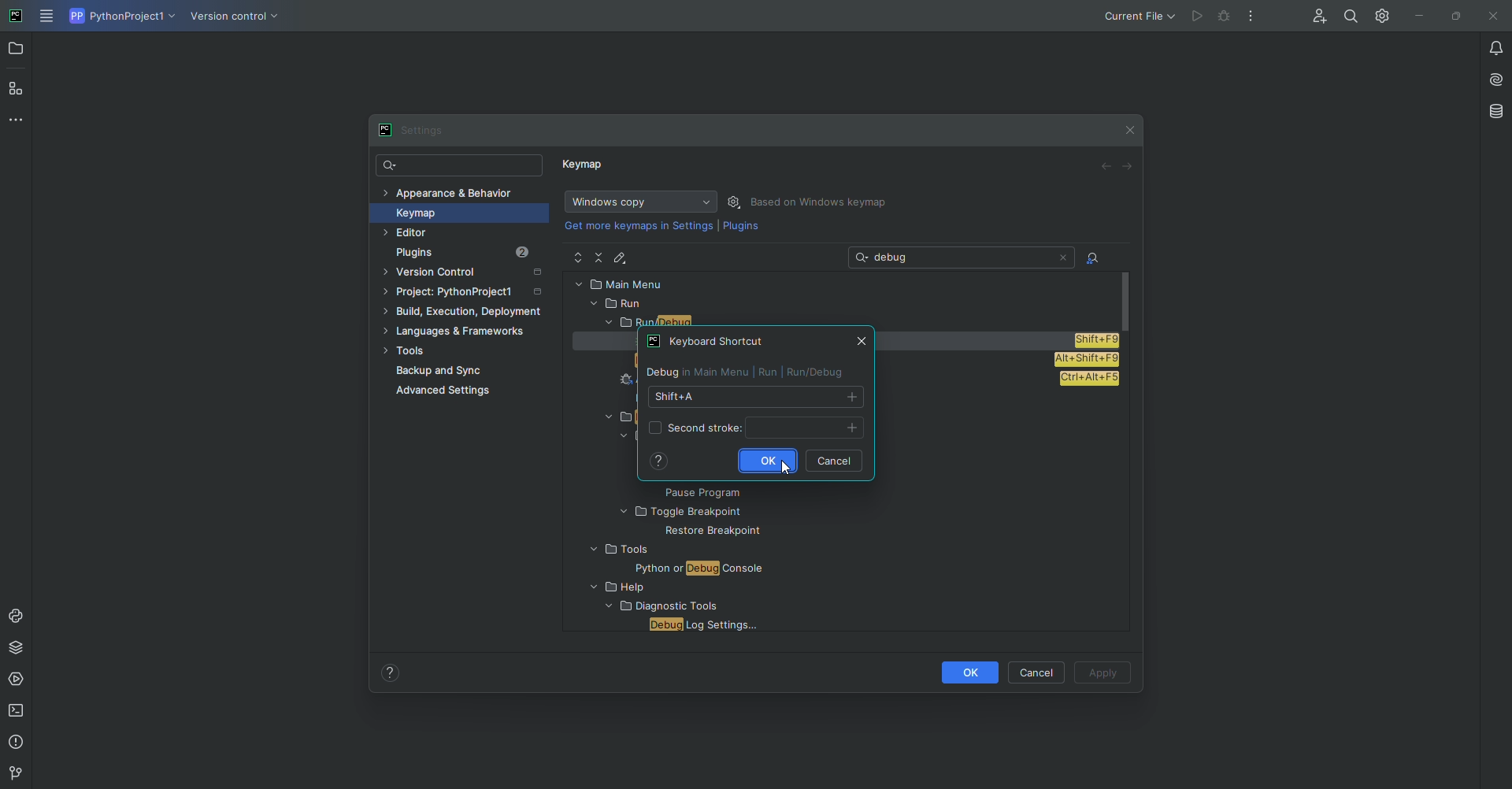 The image size is (1512, 789). I want to click on Version Control, so click(468, 274).